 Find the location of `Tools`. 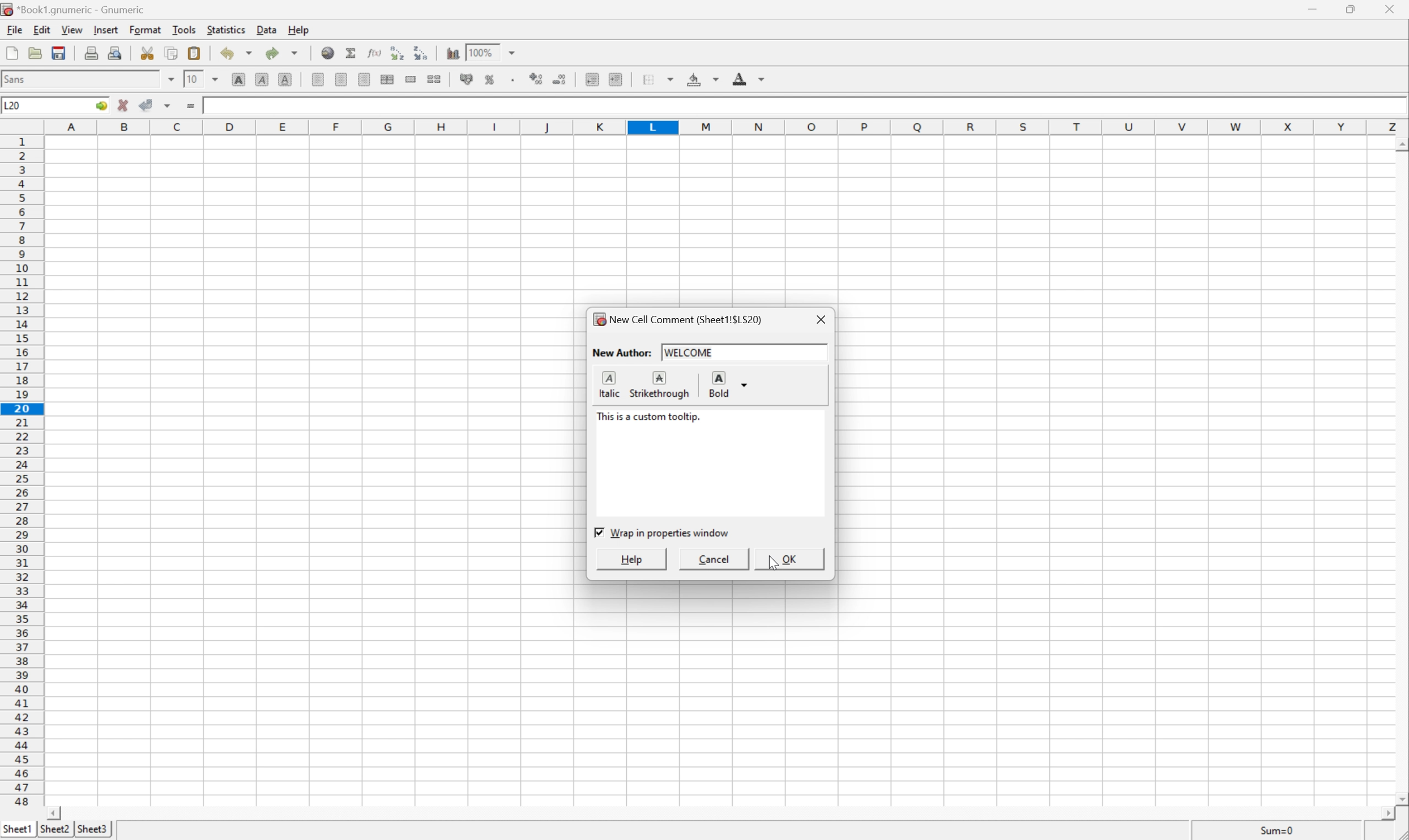

Tools is located at coordinates (183, 28).